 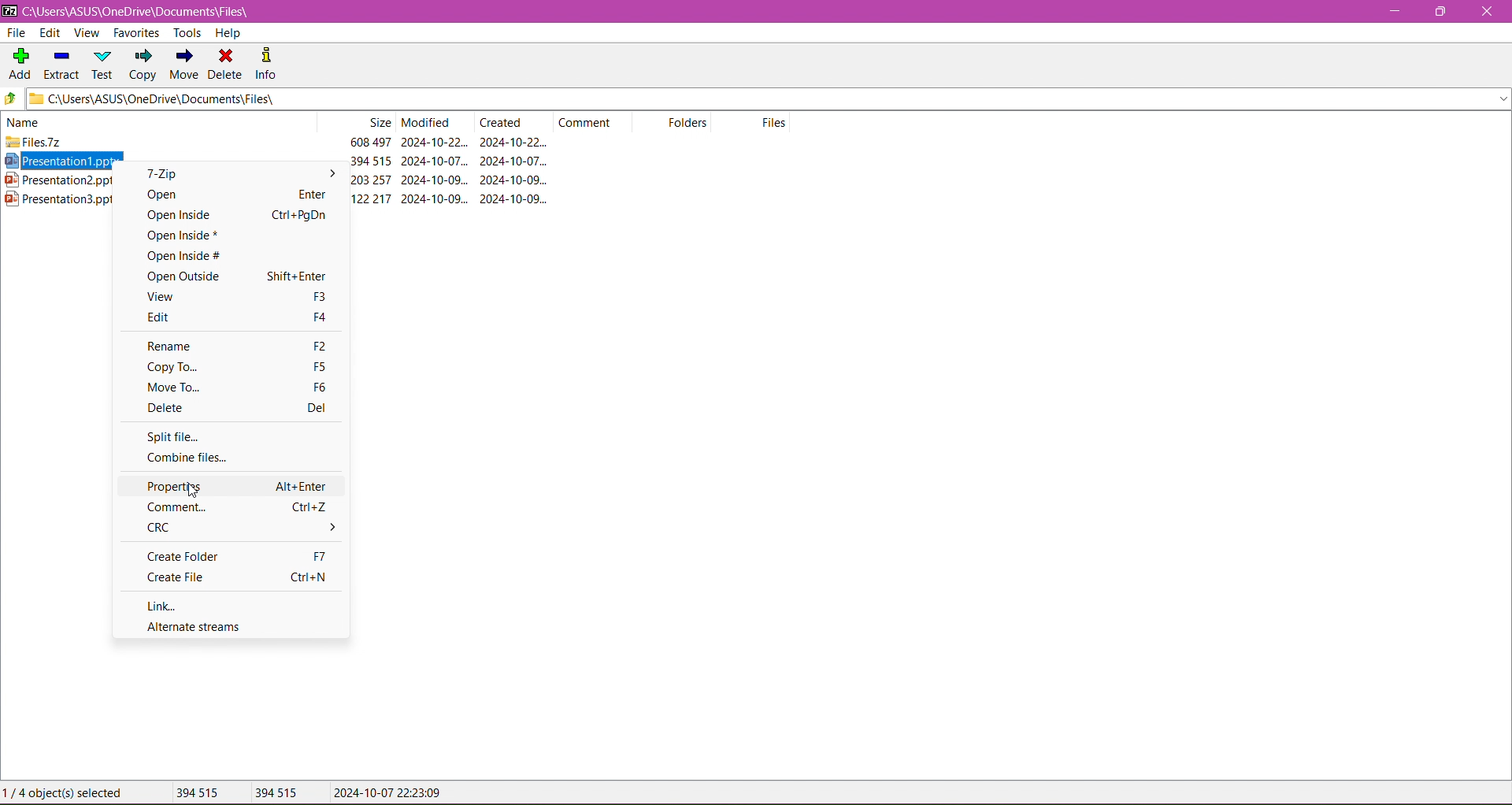 I want to click on presentation2.pptx, so click(x=57, y=180).